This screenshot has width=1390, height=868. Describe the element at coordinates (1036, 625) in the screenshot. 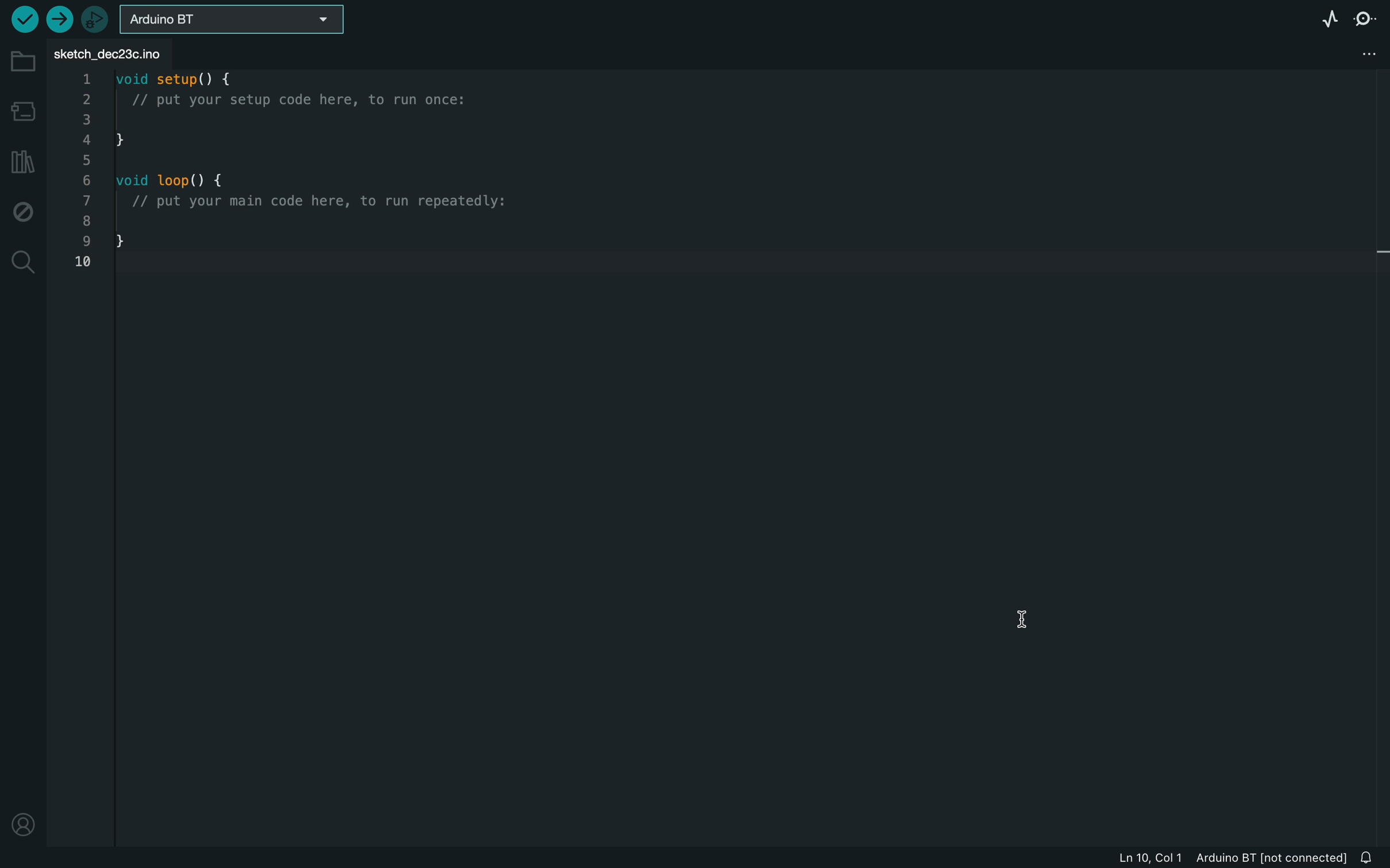

I see `cursor` at that location.